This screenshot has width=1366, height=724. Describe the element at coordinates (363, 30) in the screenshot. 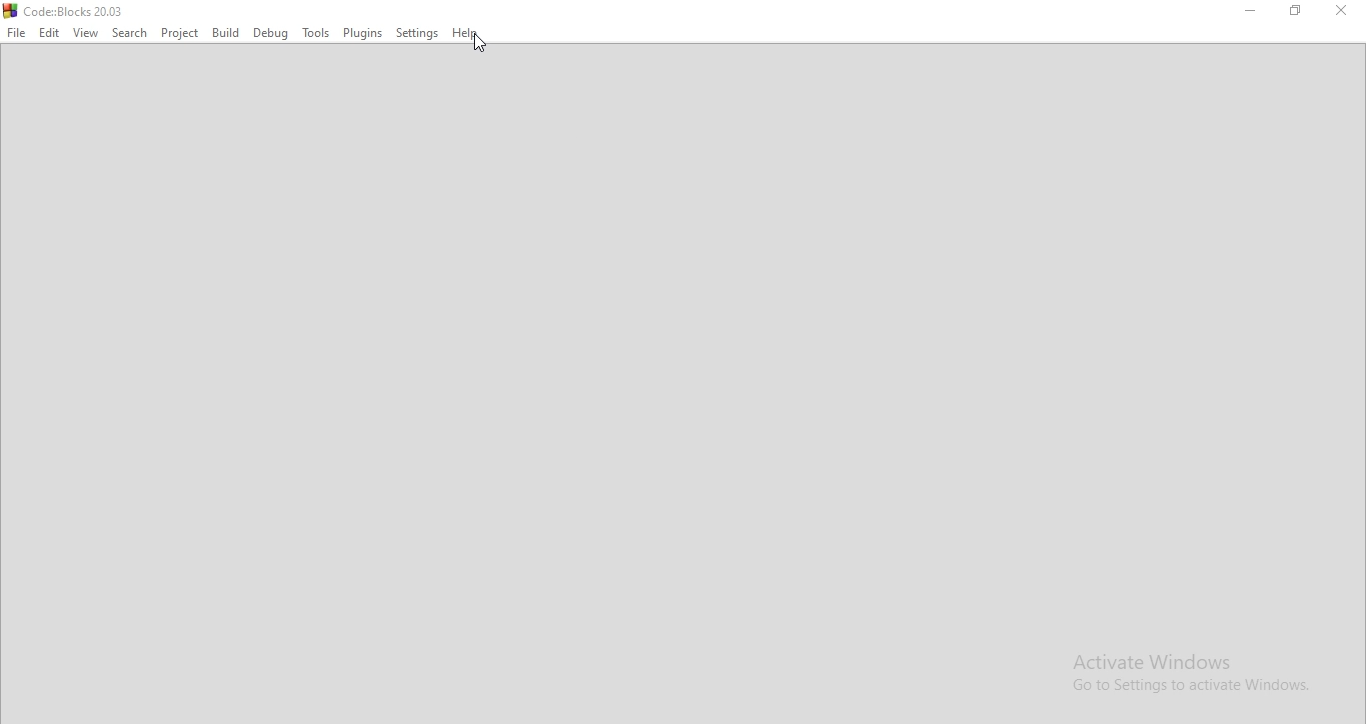

I see `Plugins ` at that location.